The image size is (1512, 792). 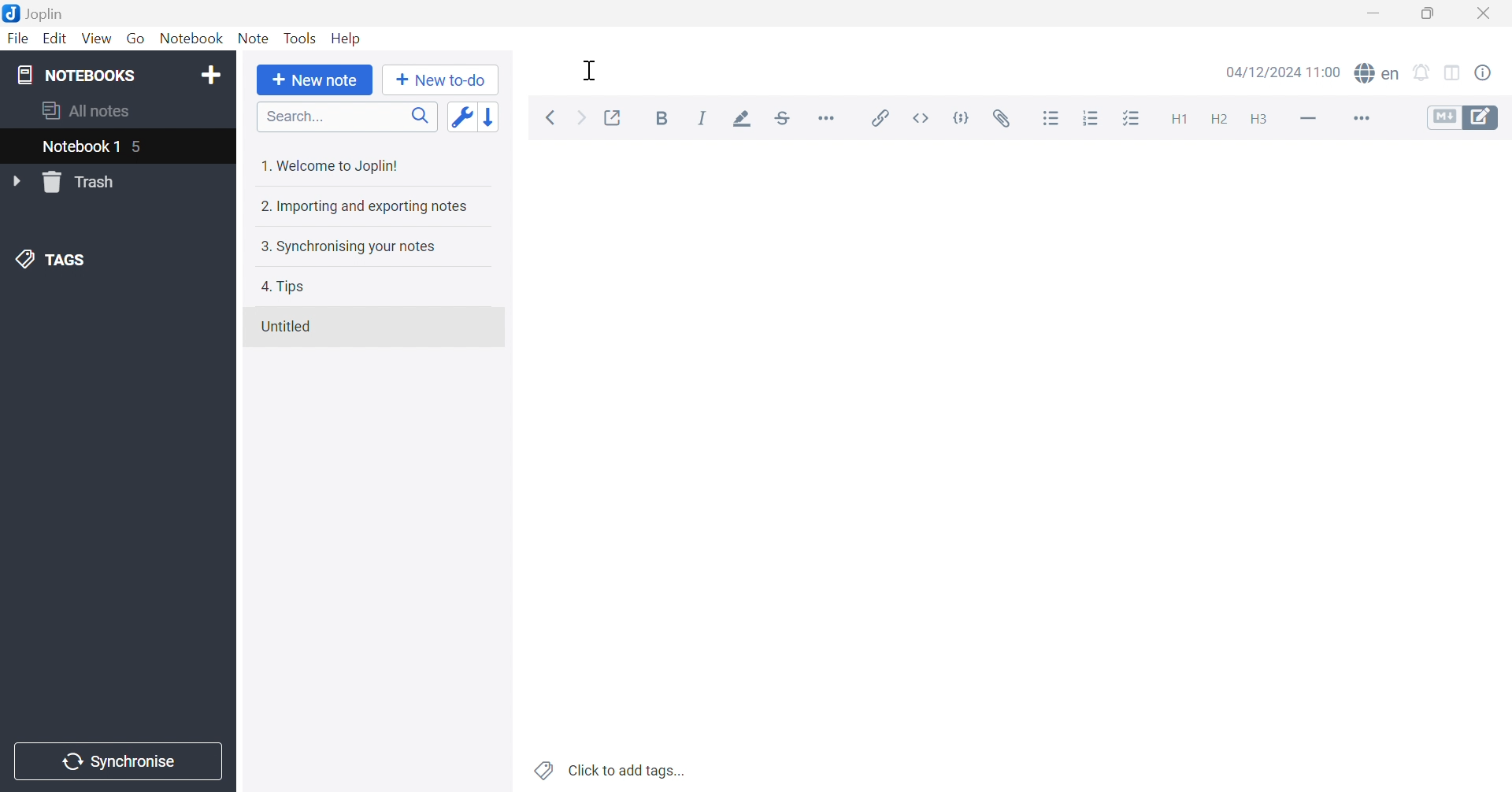 I want to click on Help, so click(x=347, y=38).